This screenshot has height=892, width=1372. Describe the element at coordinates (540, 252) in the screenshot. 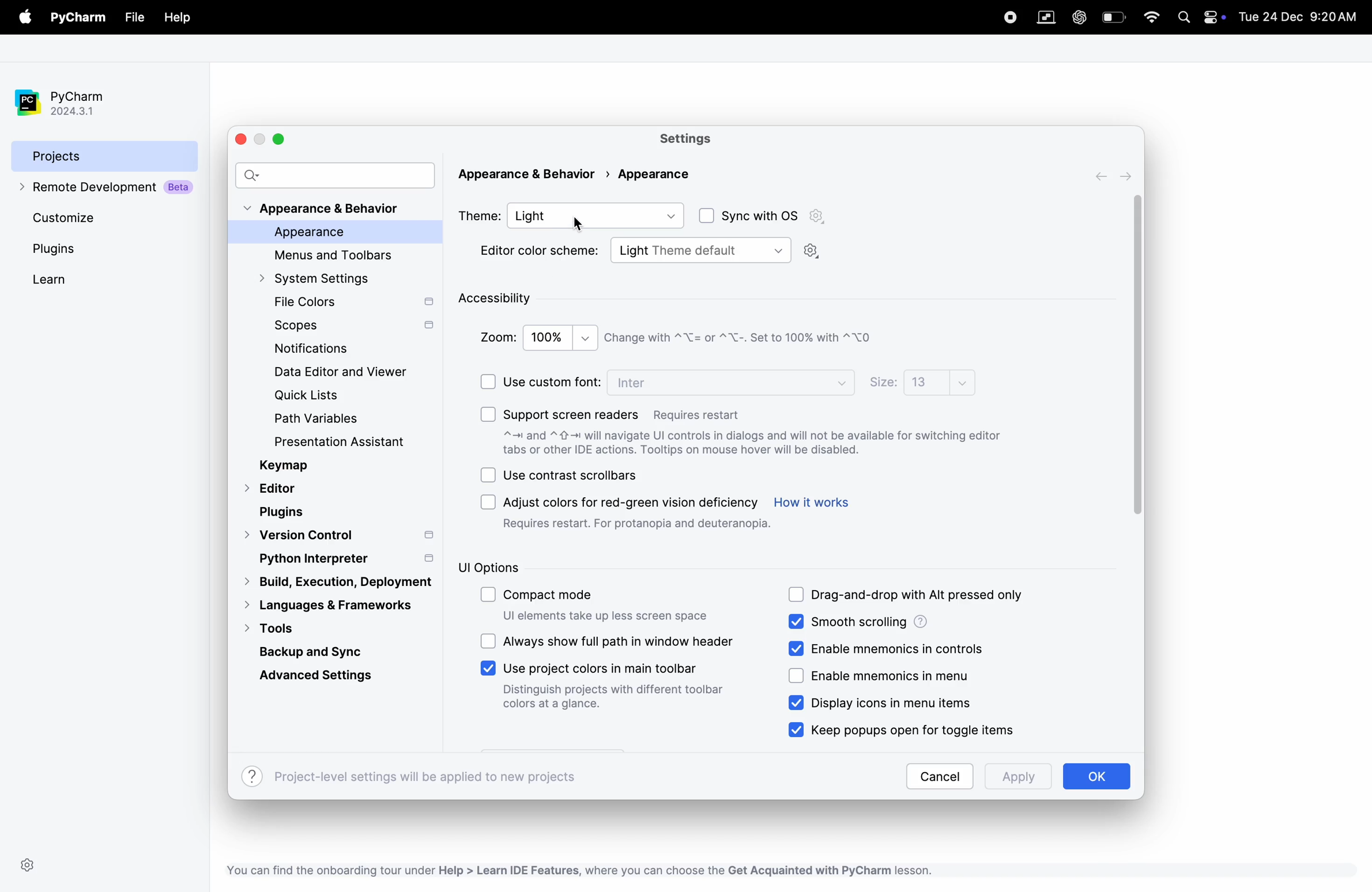

I see `editor color scheme` at that location.